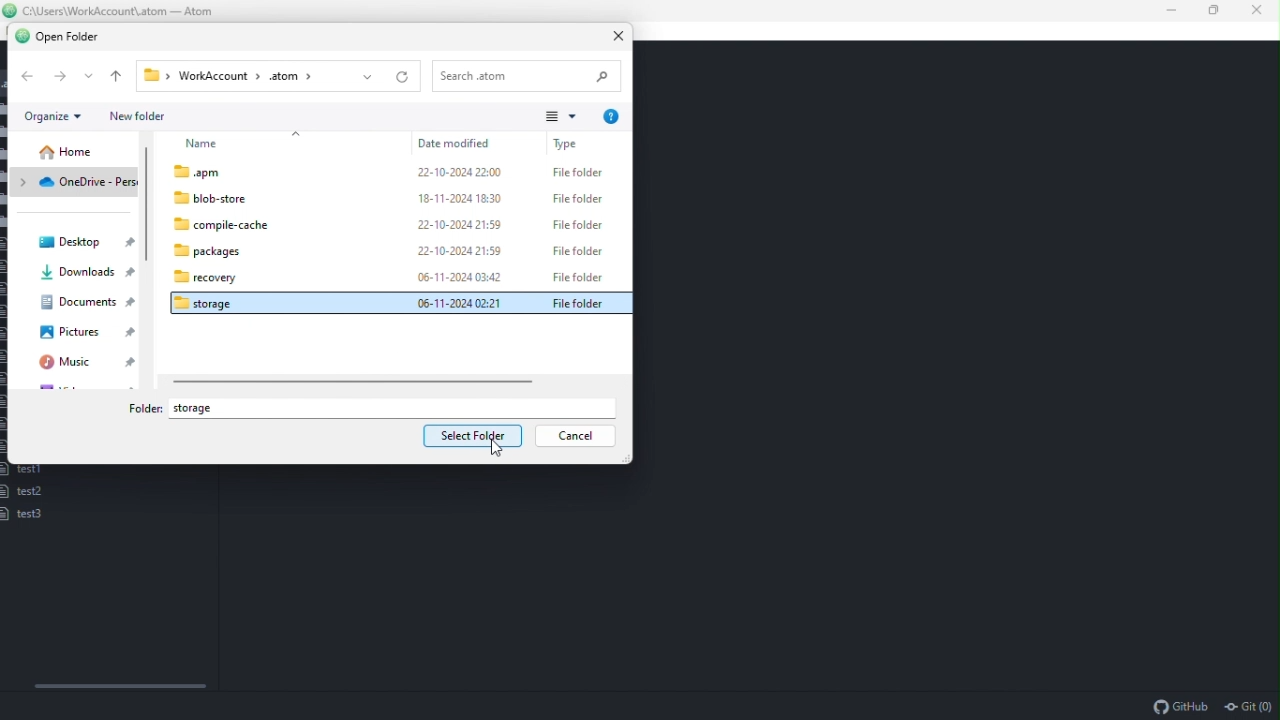  I want to click on Date modified, so click(464, 143).